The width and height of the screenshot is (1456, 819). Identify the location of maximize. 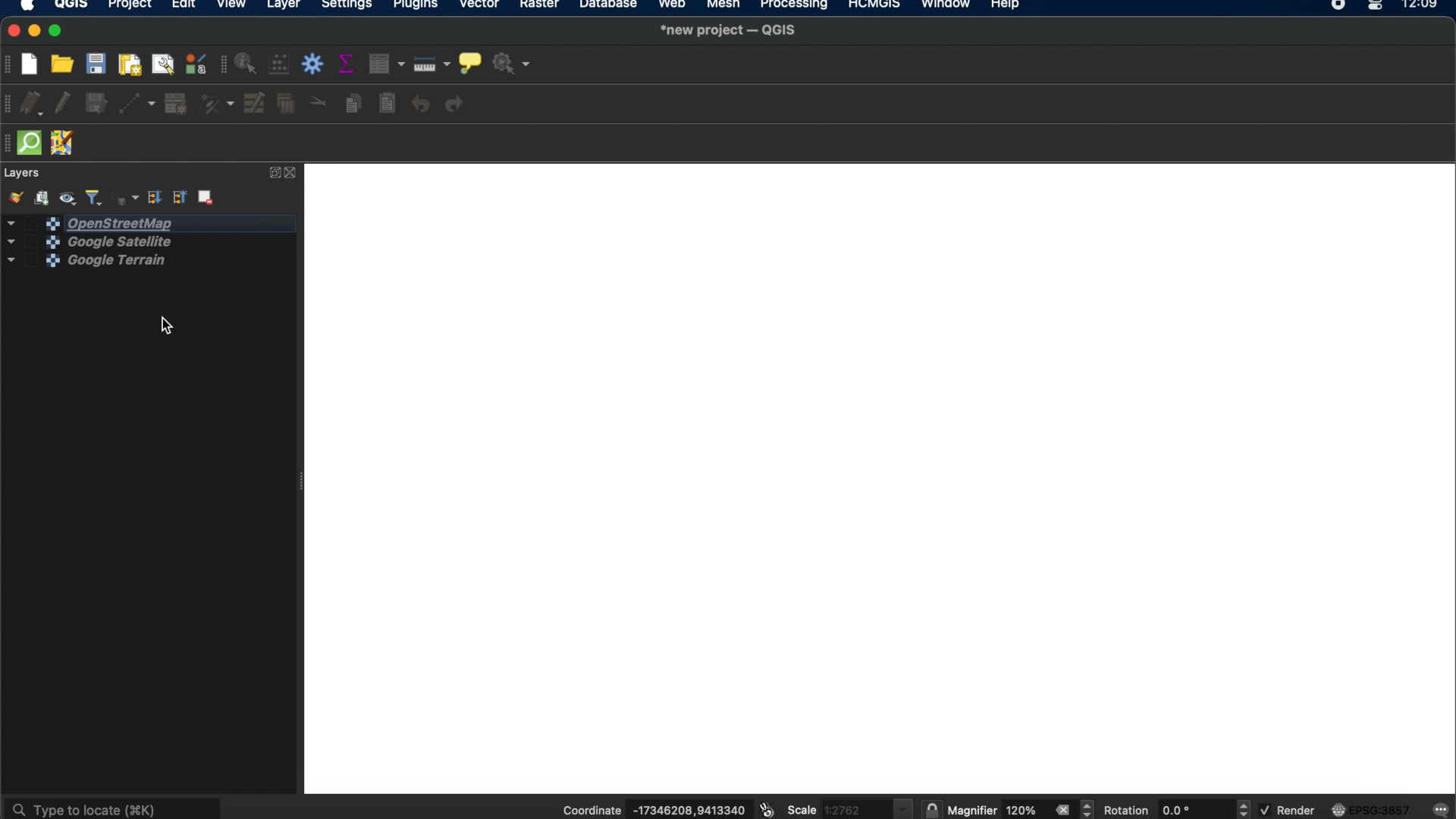
(58, 31).